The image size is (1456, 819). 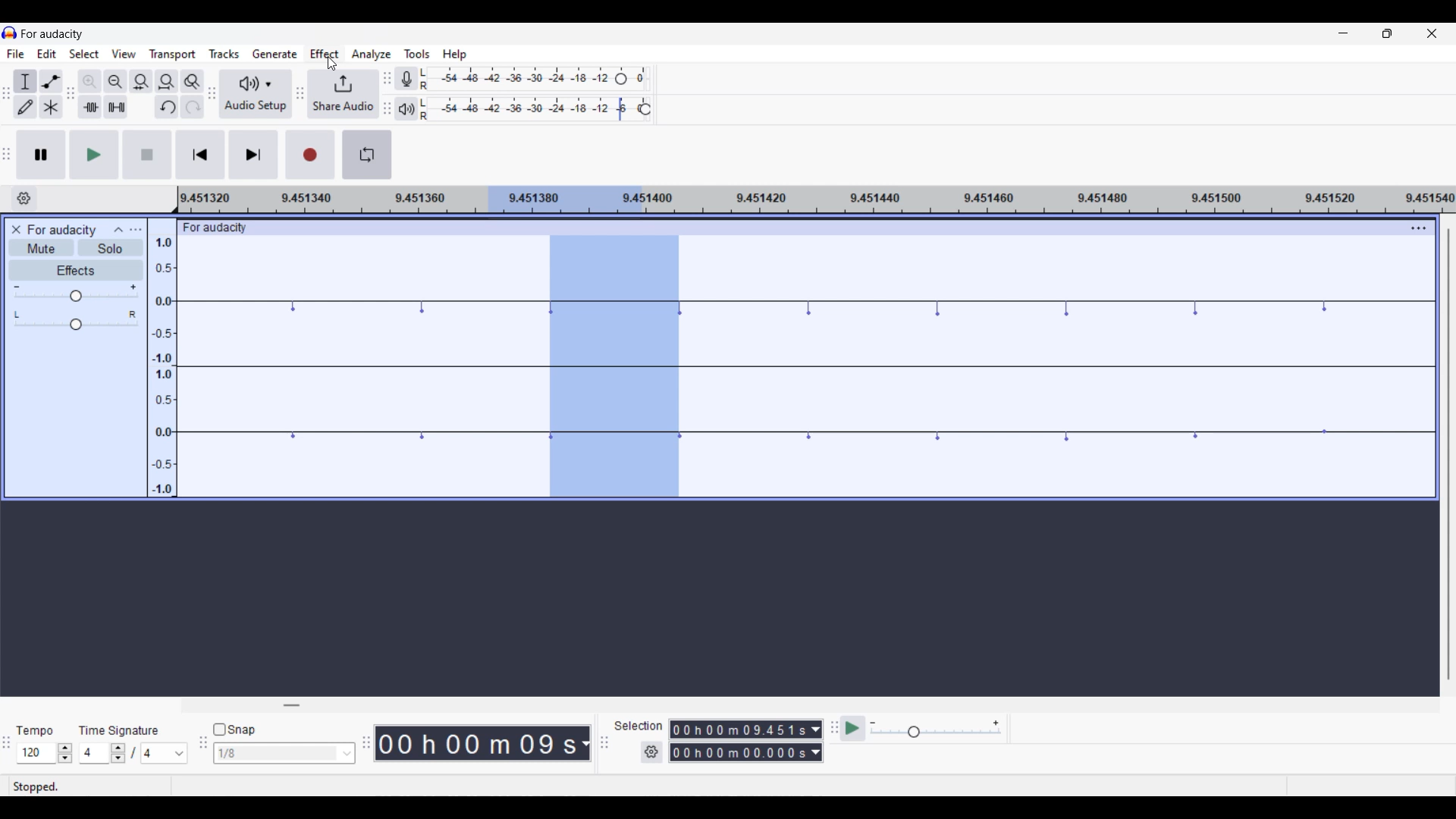 I want to click on Open menu, so click(x=136, y=230).